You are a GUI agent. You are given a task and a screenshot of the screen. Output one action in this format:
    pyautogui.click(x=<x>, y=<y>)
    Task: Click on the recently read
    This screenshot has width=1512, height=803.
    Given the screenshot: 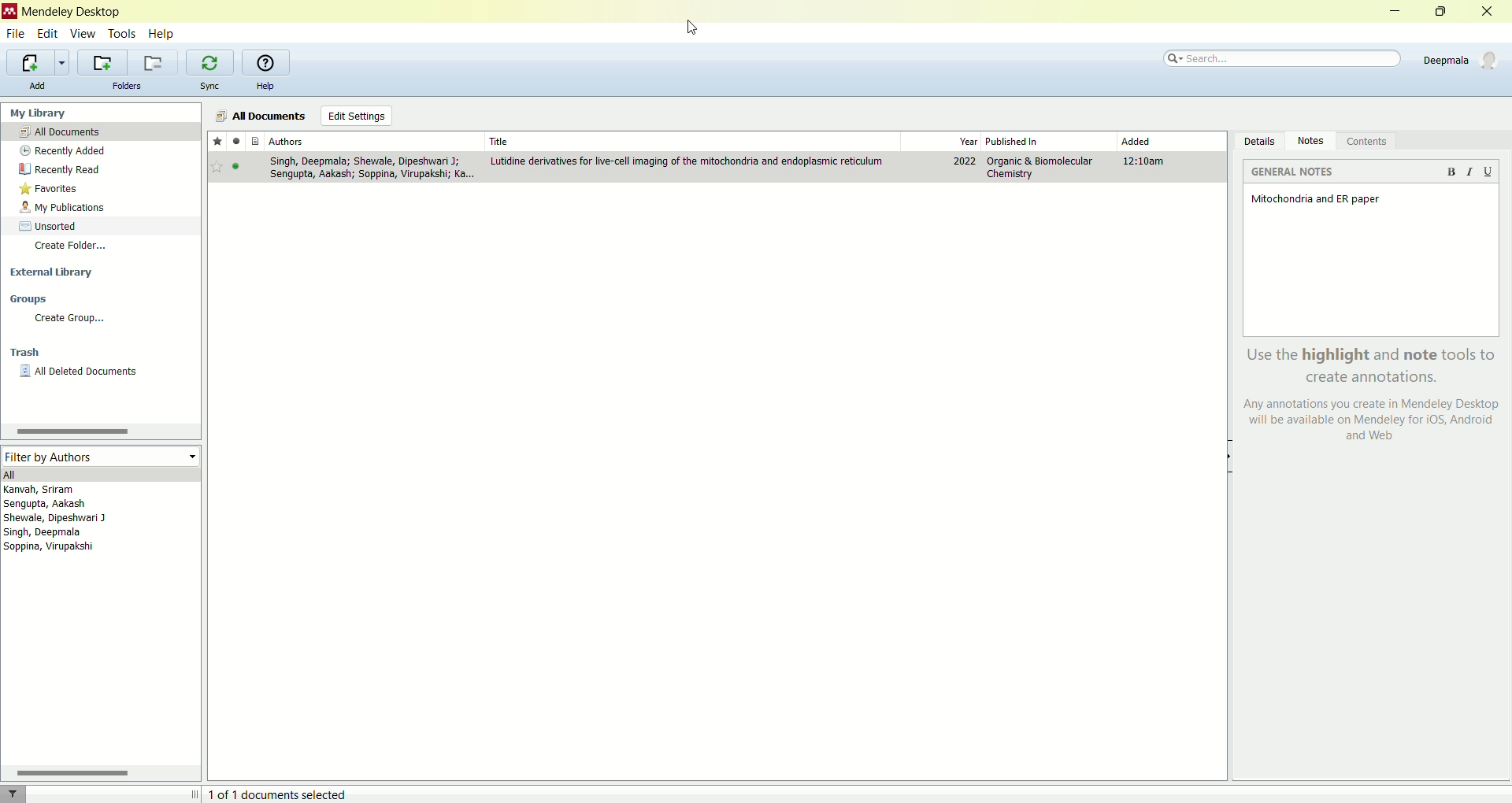 What is the action you would take?
    pyautogui.click(x=98, y=168)
    